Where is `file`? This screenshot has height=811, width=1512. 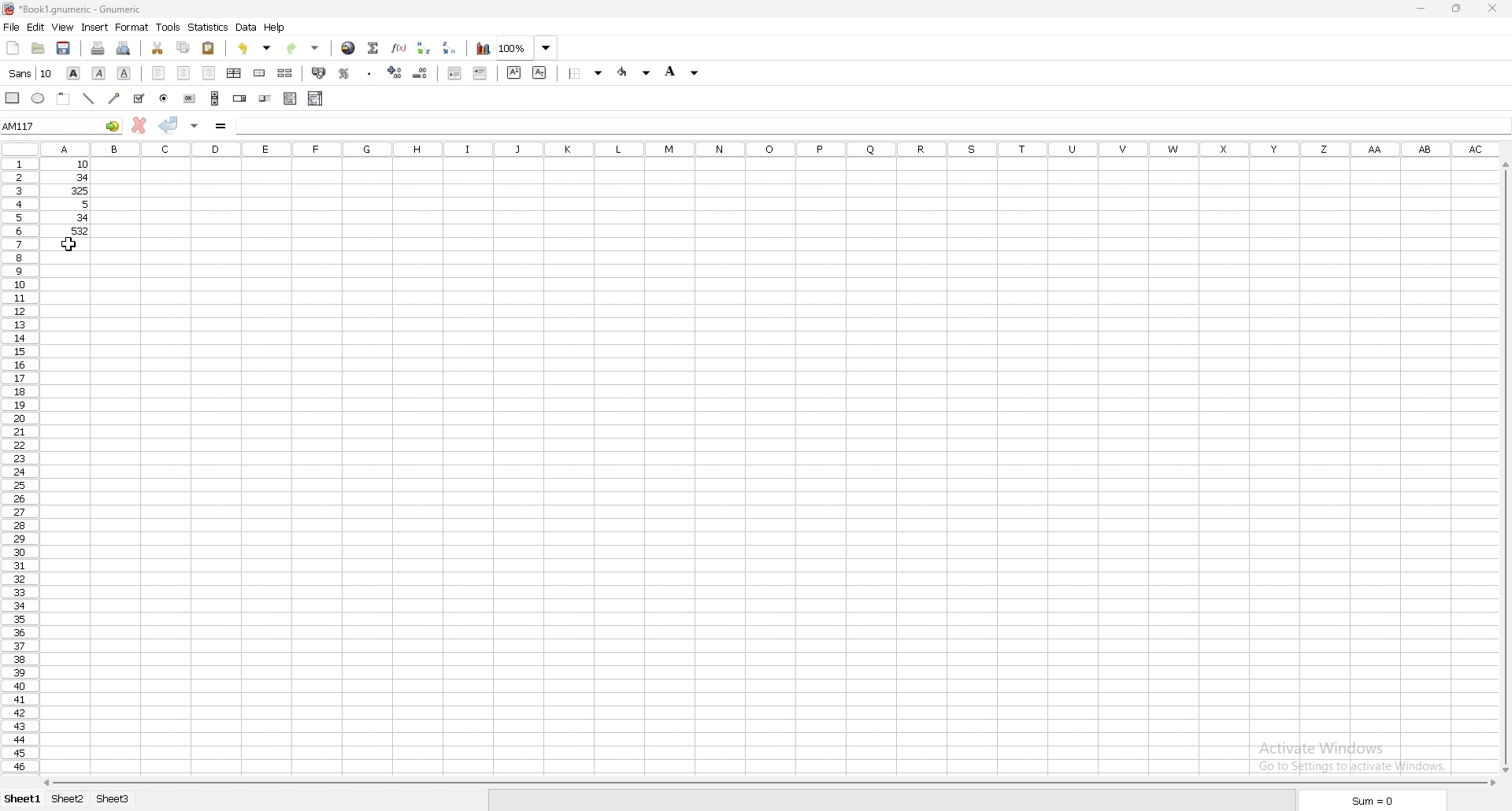 file is located at coordinates (13, 28).